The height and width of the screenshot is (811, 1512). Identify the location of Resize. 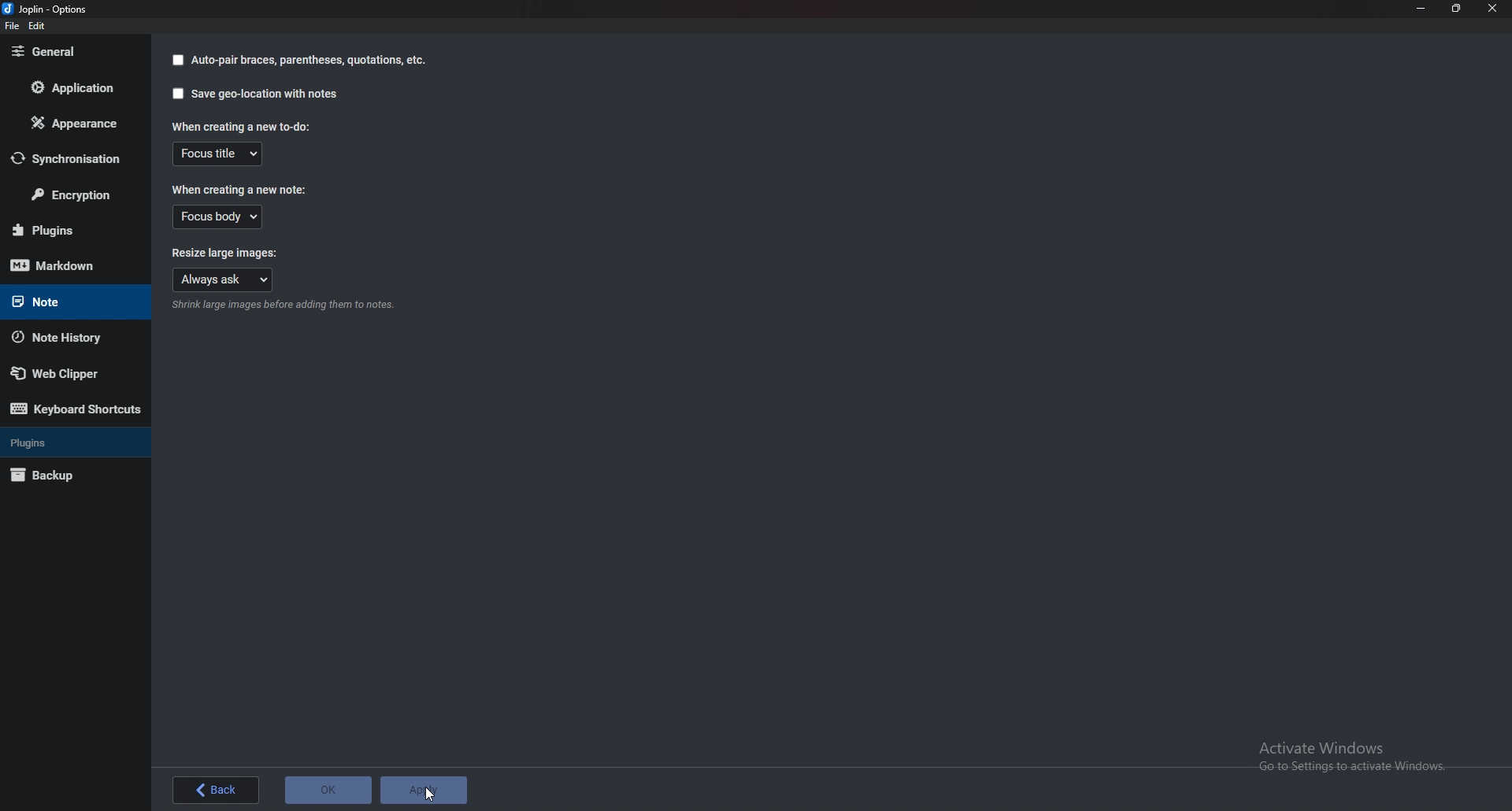
(1459, 9).